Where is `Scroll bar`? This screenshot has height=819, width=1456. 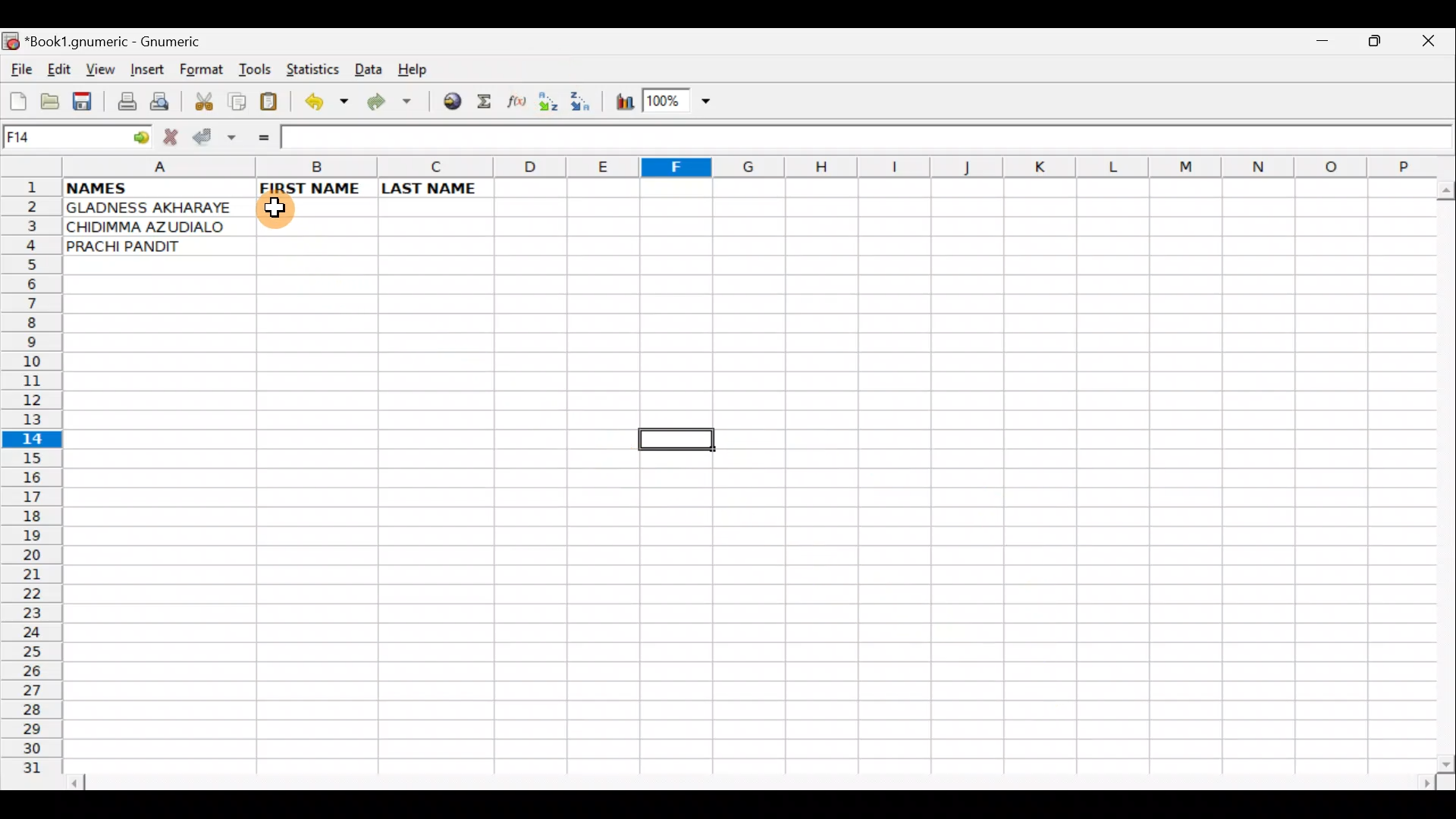
Scroll bar is located at coordinates (754, 780).